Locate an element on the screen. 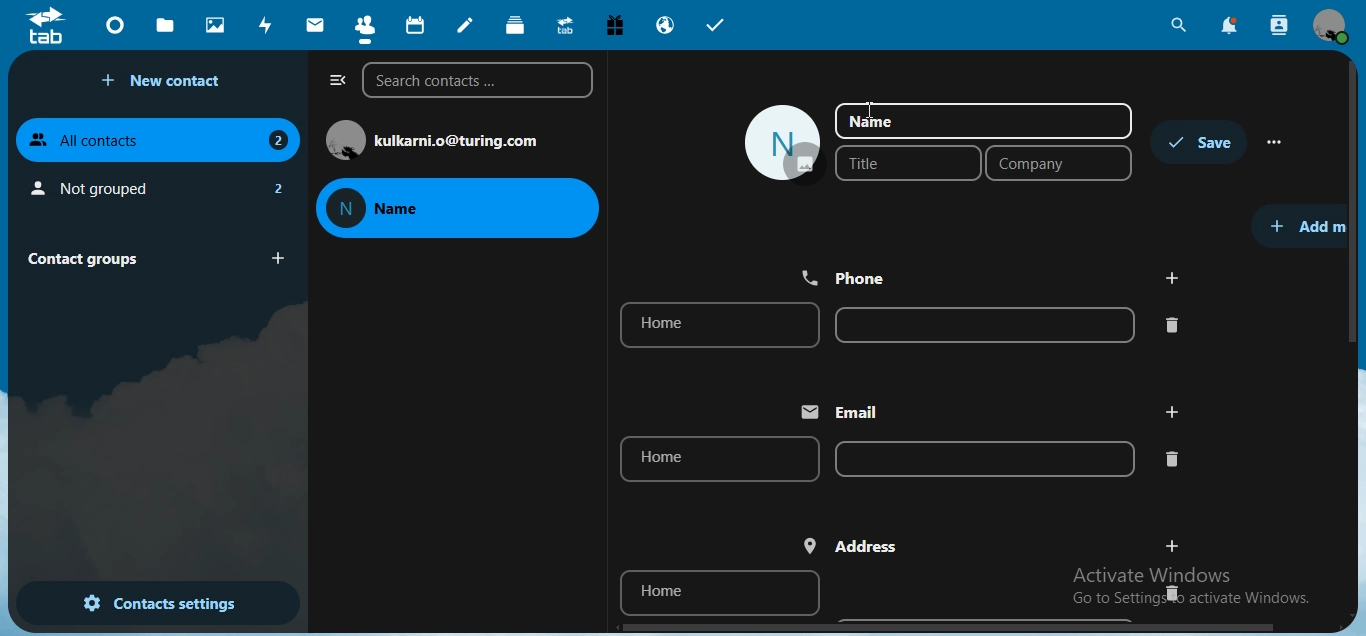 The width and height of the screenshot is (1366, 636). delete is located at coordinates (1169, 592).